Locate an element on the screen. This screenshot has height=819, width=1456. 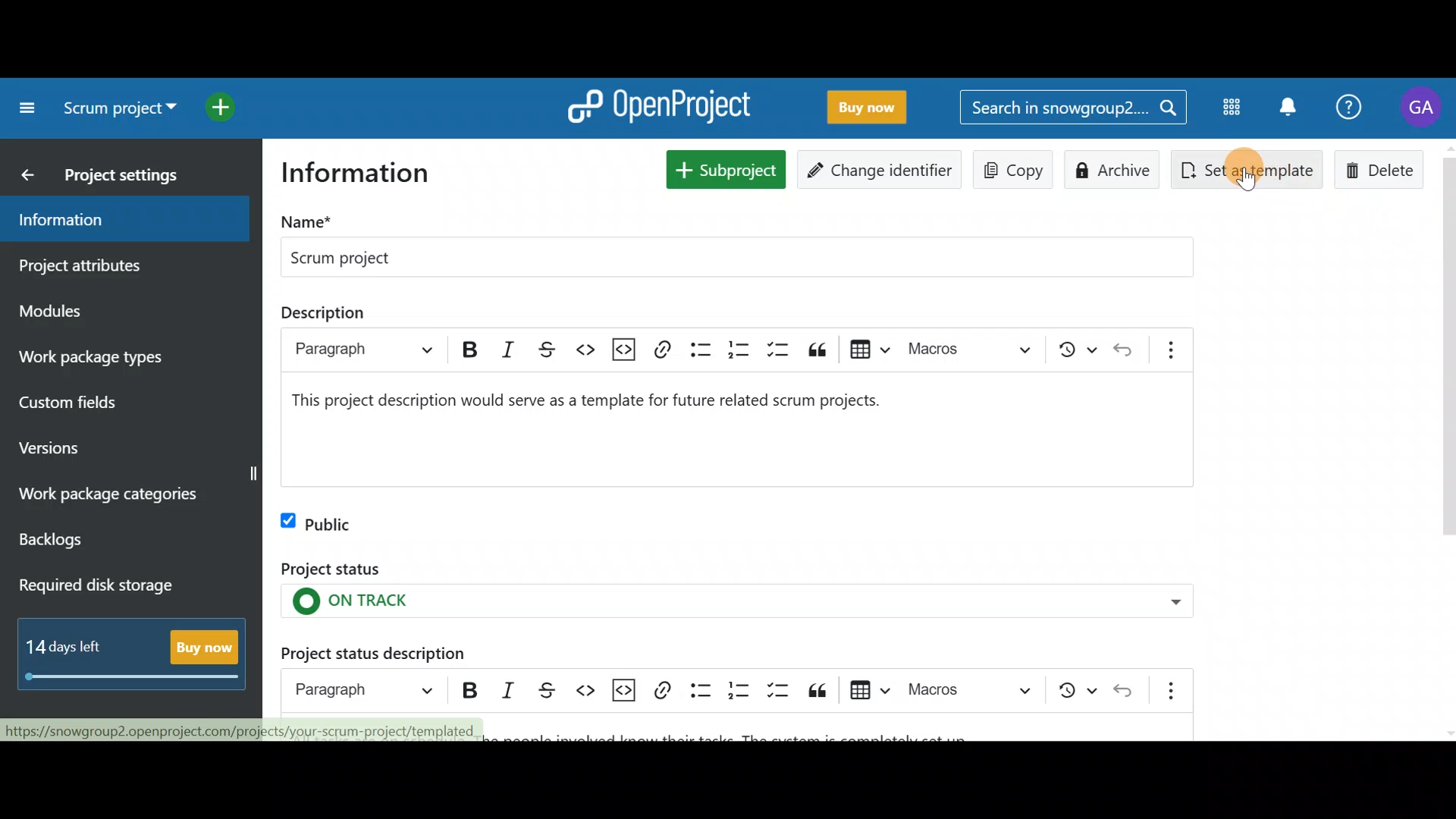
block quote is located at coordinates (816, 350).